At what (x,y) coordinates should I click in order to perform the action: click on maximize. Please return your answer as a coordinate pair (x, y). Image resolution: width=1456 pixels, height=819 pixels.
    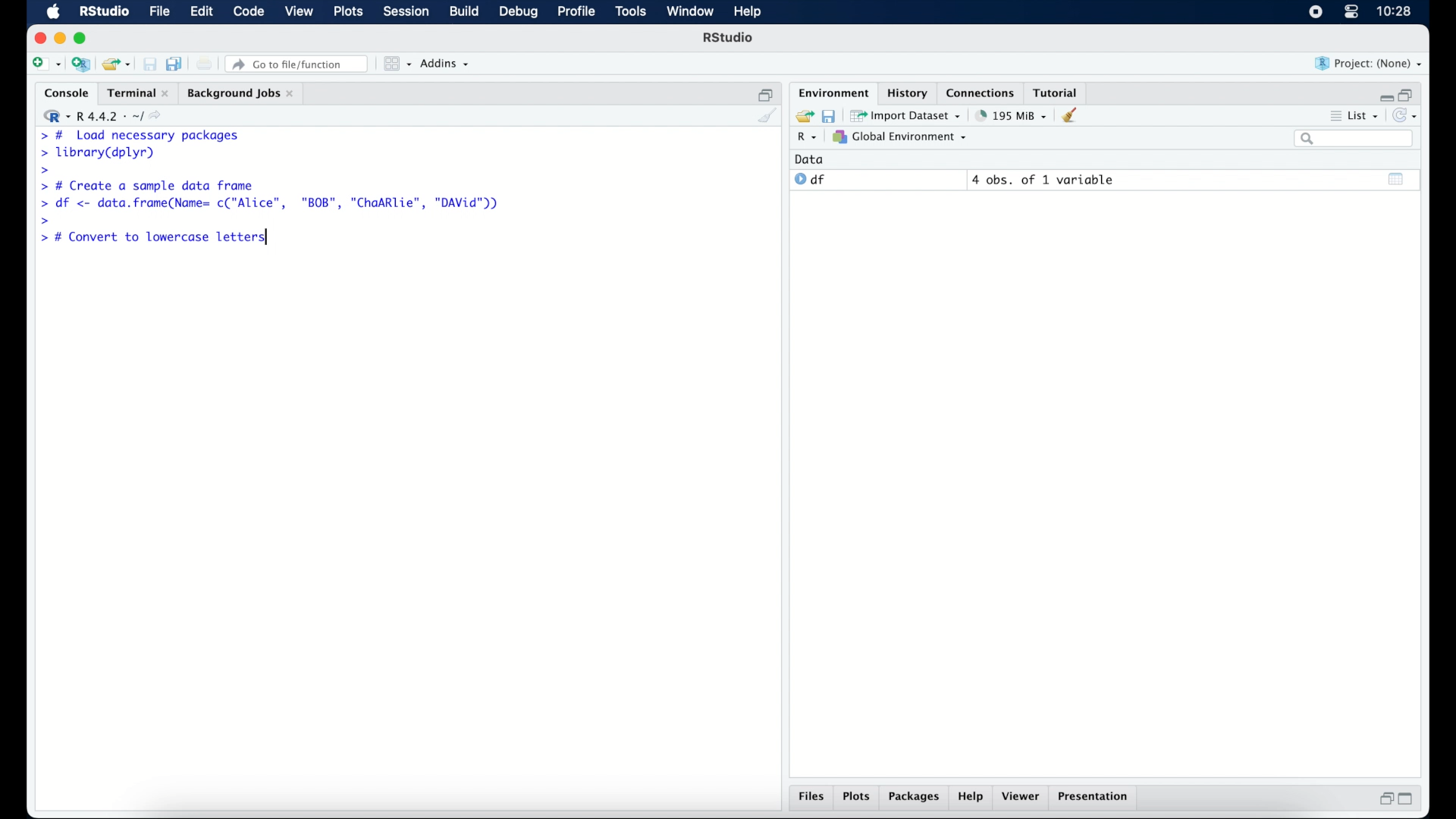
    Looking at the image, I should click on (1410, 799).